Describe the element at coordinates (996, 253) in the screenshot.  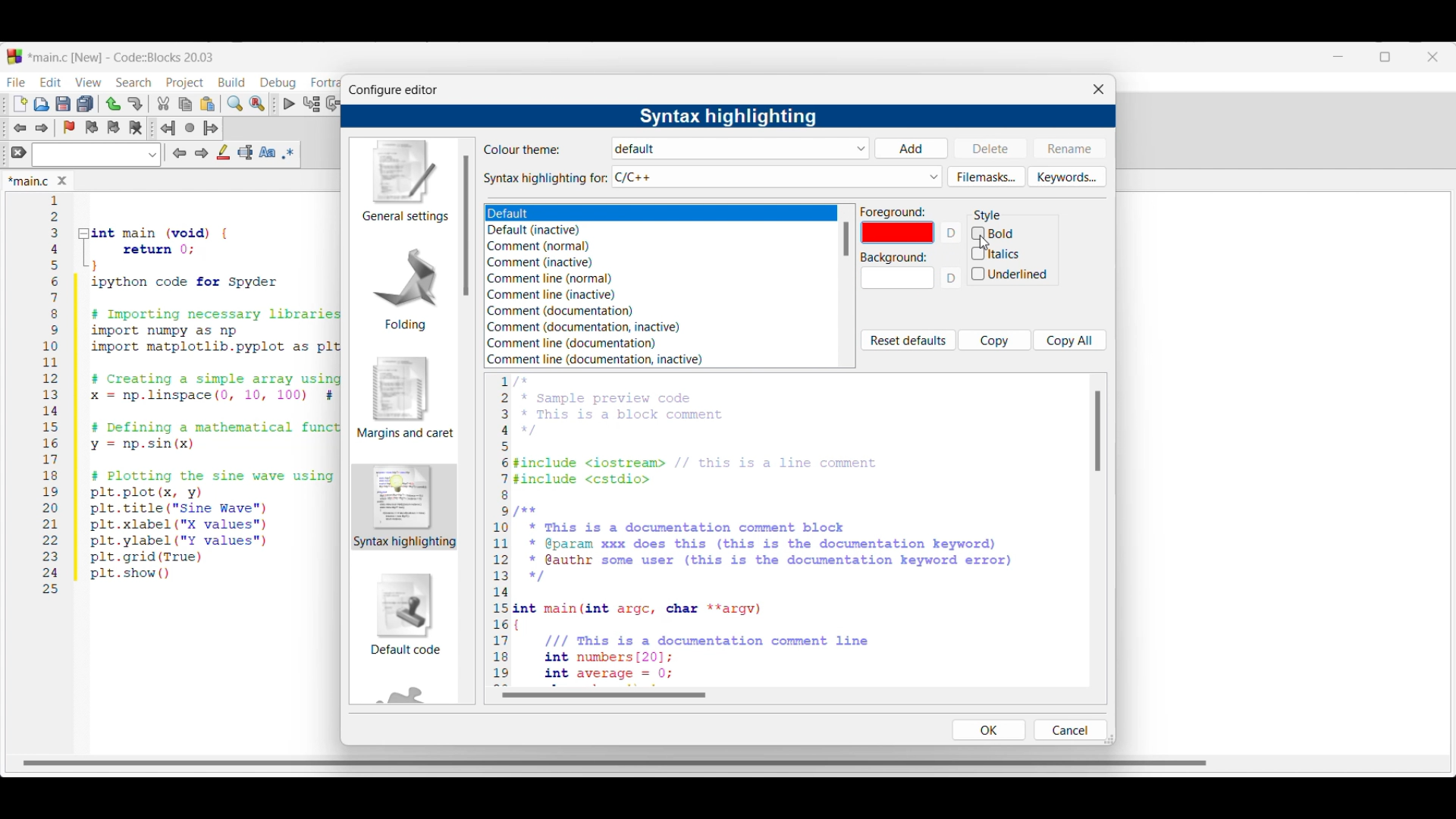
I see `italics` at that location.